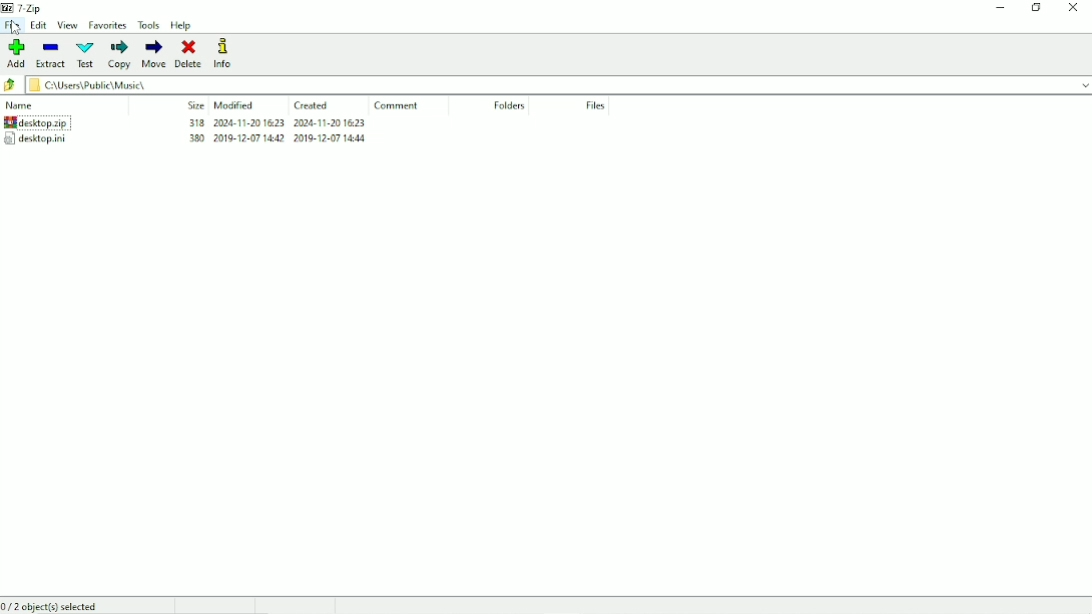 This screenshot has width=1092, height=614. What do you see at coordinates (40, 26) in the screenshot?
I see `Edit` at bounding box center [40, 26].